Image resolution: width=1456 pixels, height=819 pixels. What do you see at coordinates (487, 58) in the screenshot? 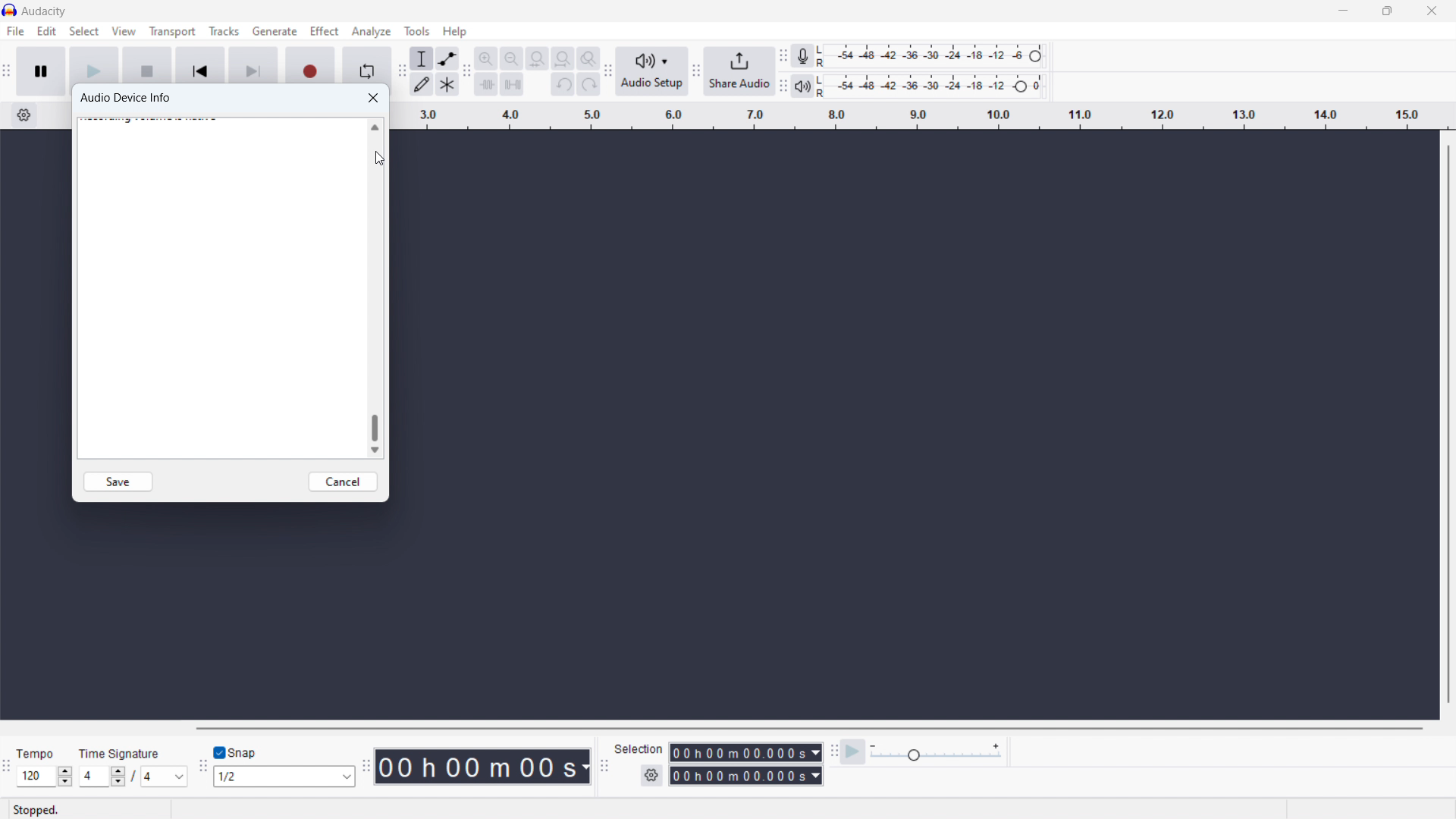
I see `zoom in` at bounding box center [487, 58].